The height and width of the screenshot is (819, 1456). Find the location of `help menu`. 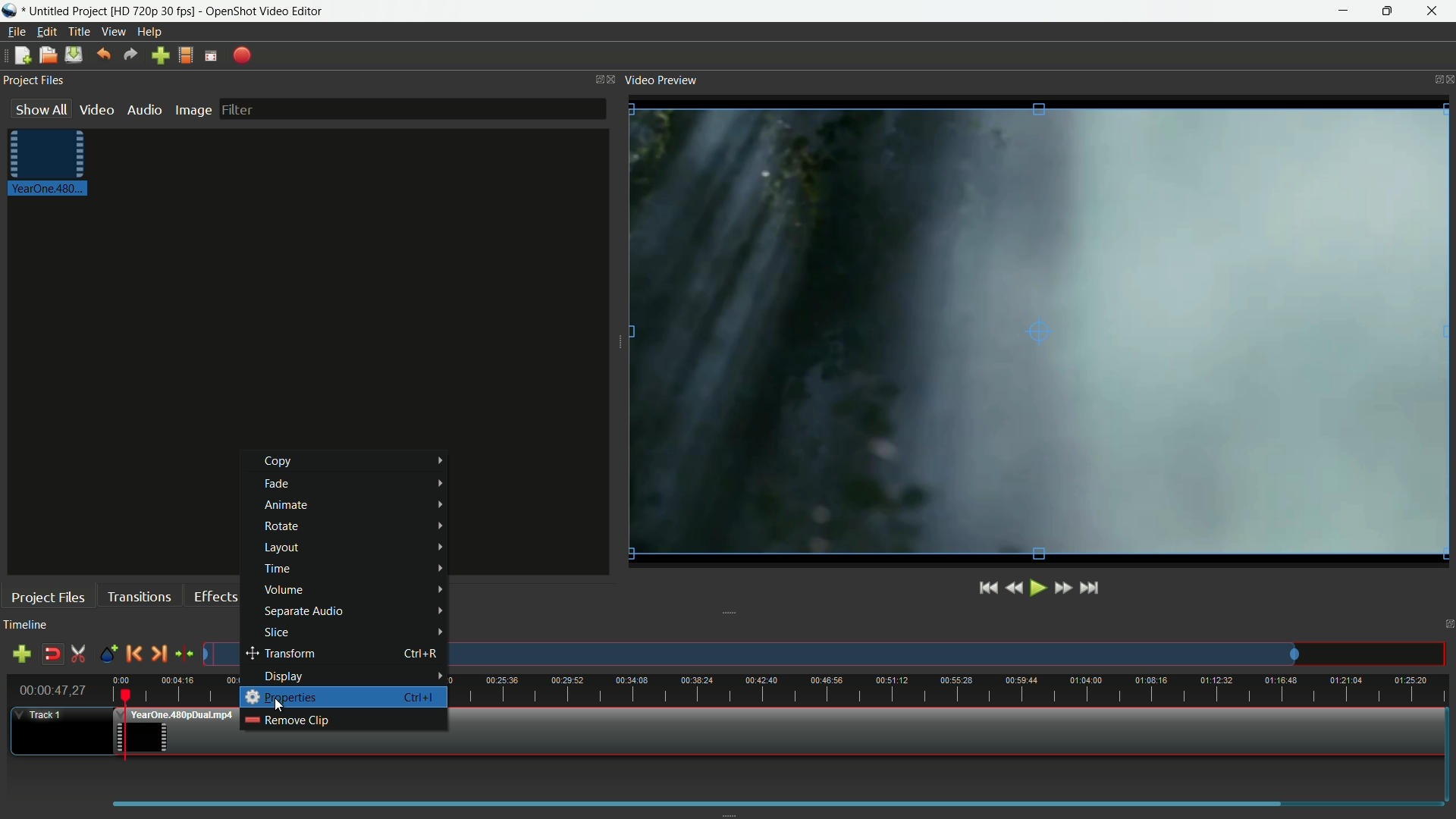

help menu is located at coordinates (151, 31).